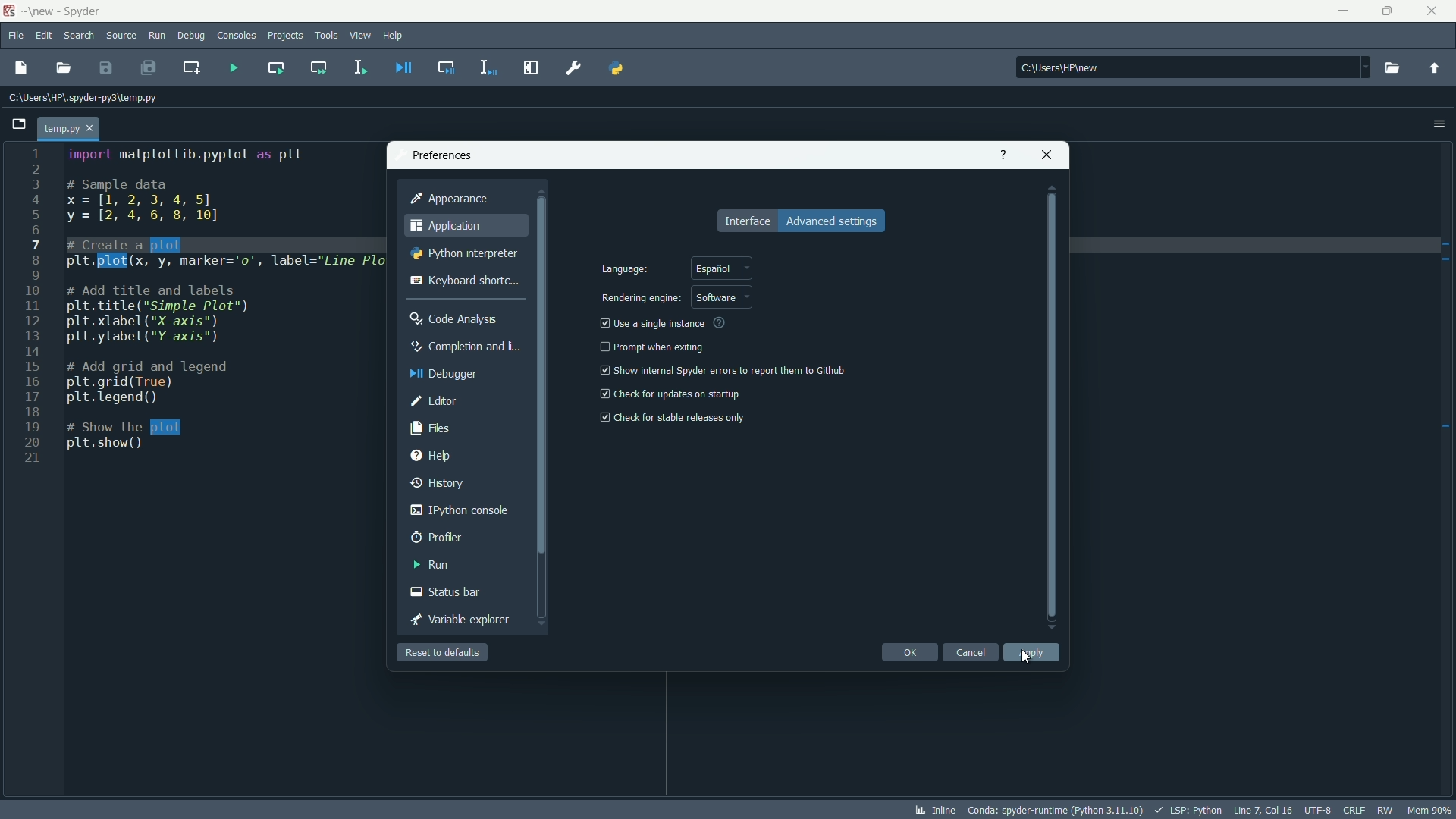 The width and height of the screenshot is (1456, 819). I want to click on debug file, so click(404, 68).